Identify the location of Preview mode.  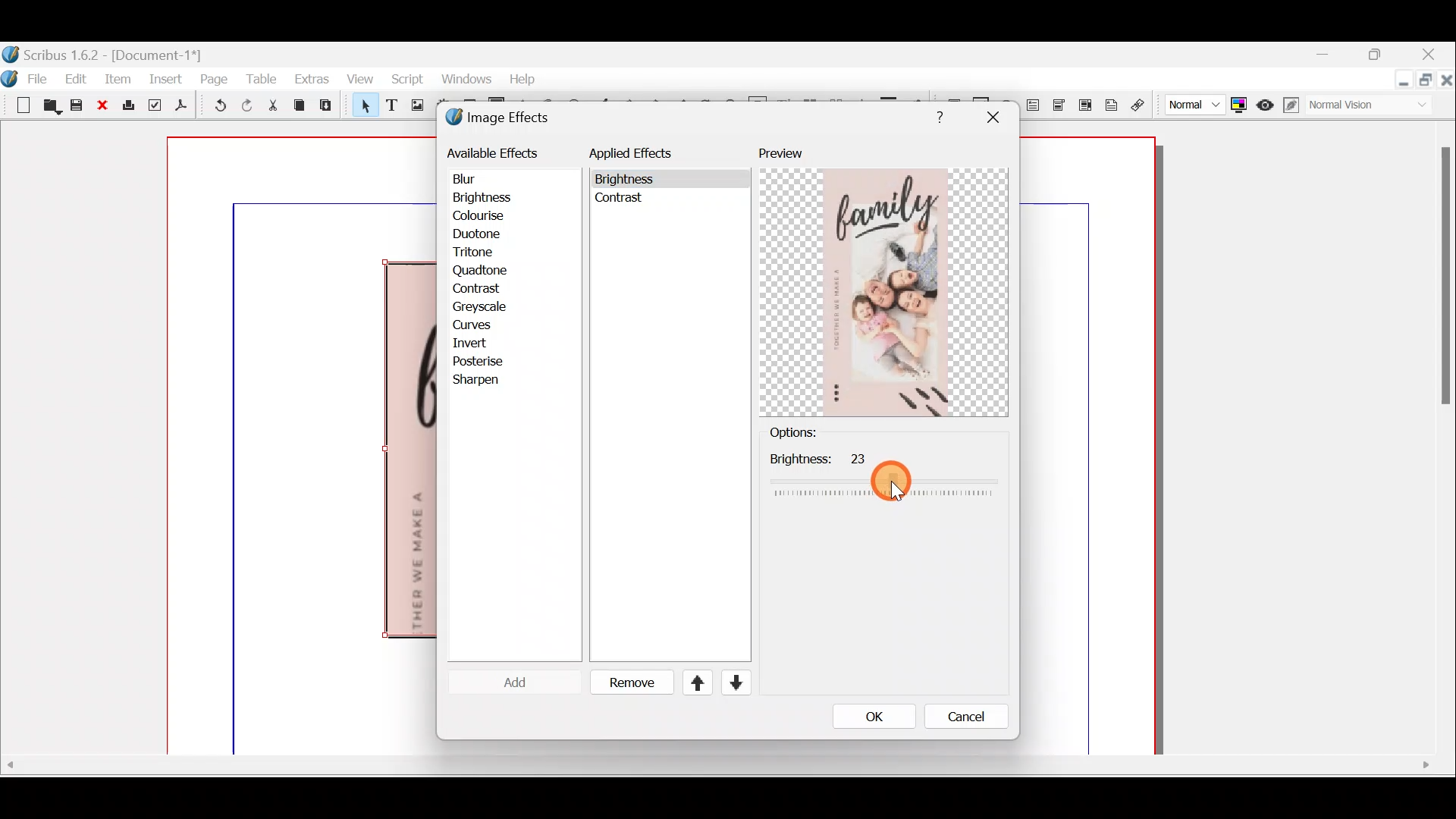
(1266, 102).